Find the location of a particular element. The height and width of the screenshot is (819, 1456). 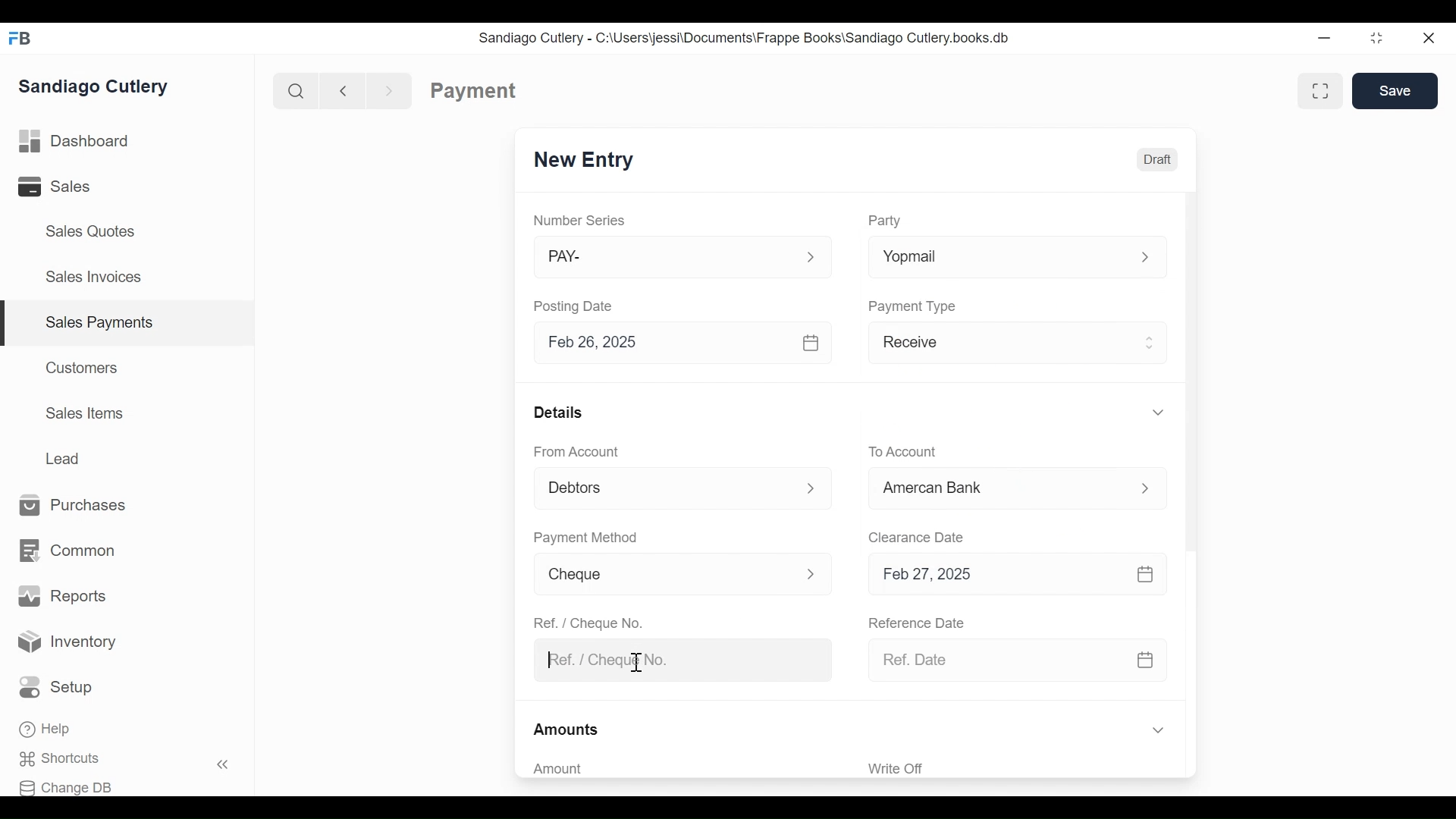

Ref. / Cheque No. is located at coordinates (587, 622).